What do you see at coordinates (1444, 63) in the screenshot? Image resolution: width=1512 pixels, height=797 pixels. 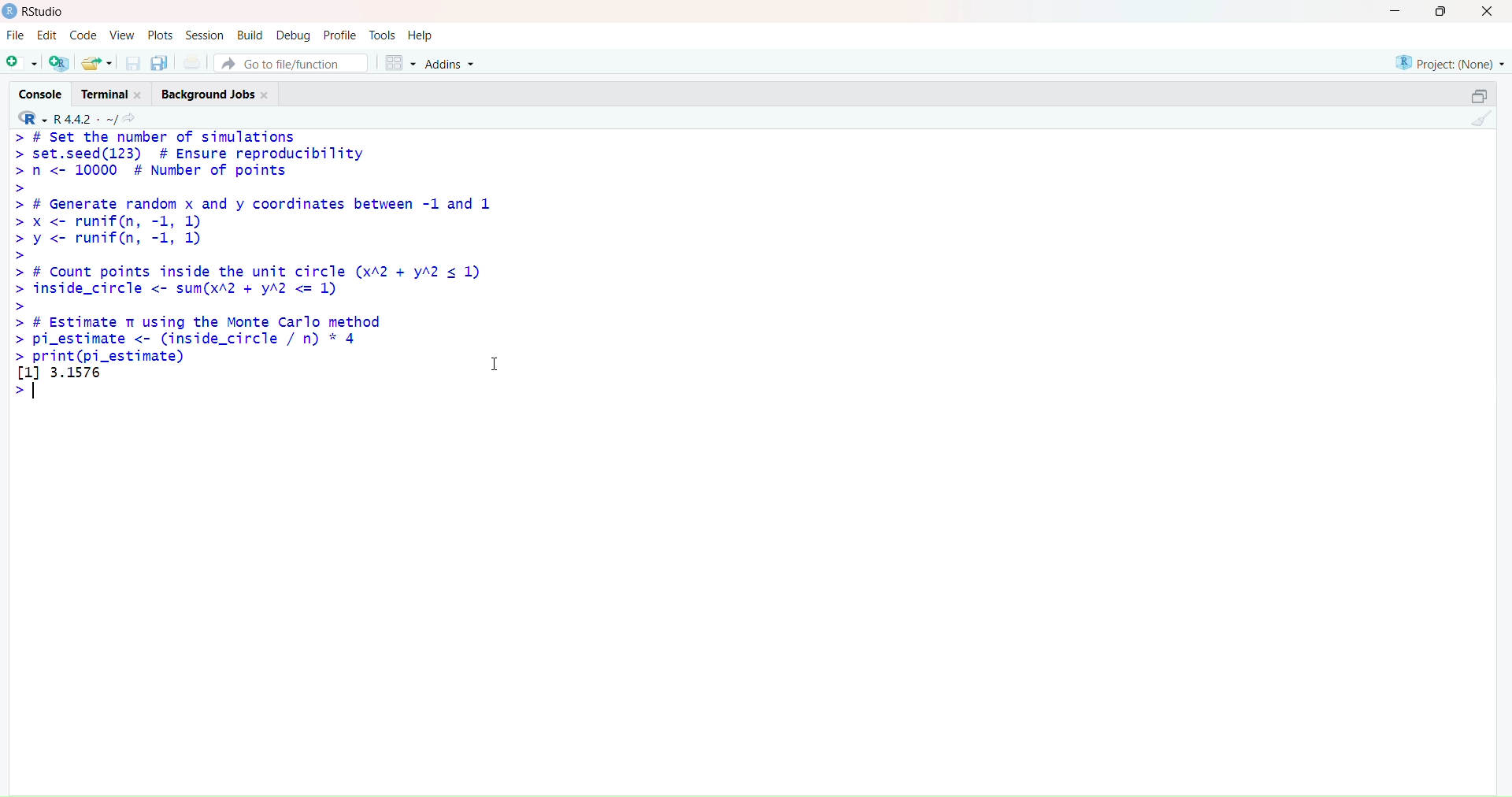 I see `Project (Note)` at bounding box center [1444, 63].